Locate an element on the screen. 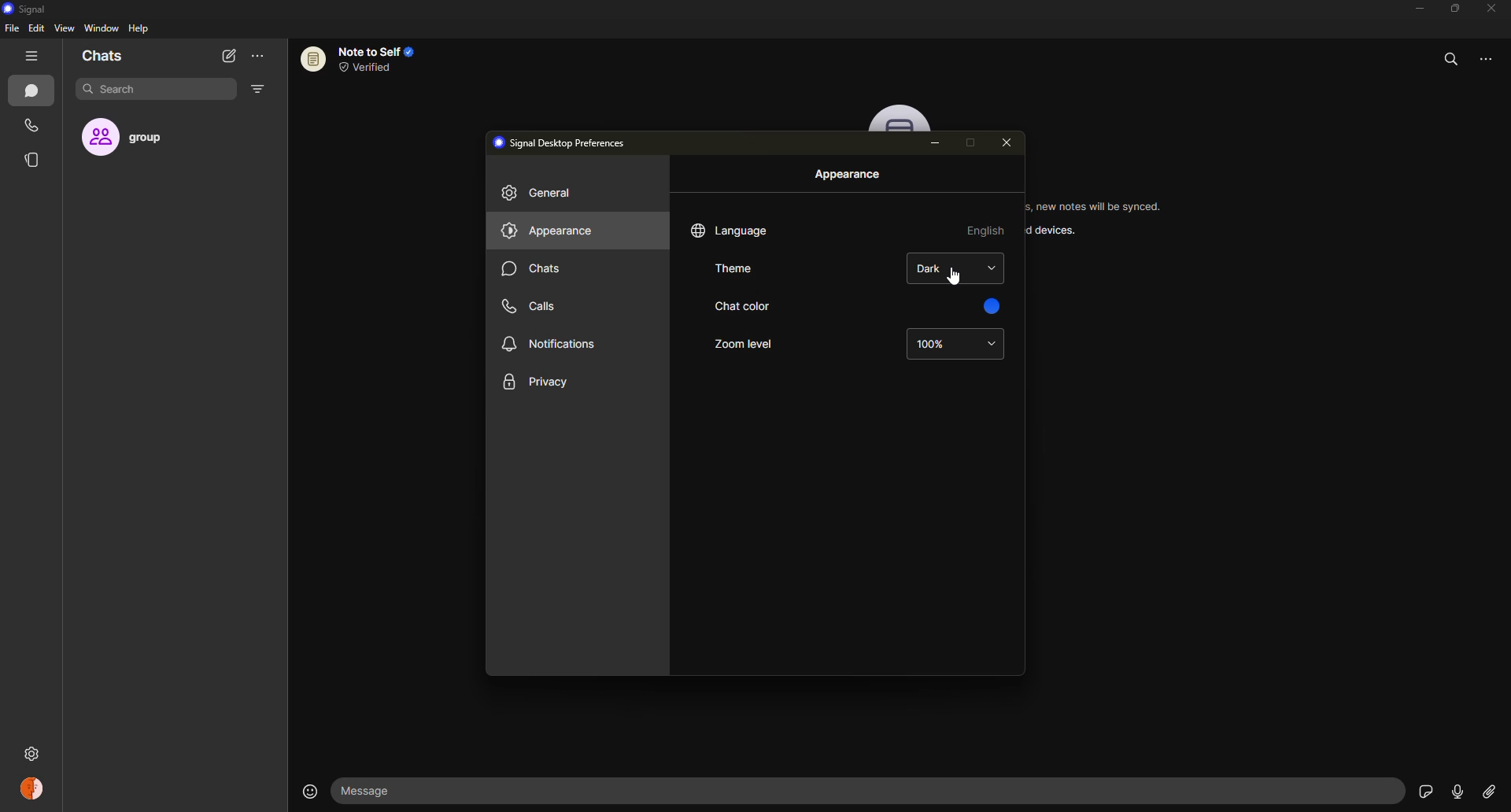  chats is located at coordinates (35, 92).